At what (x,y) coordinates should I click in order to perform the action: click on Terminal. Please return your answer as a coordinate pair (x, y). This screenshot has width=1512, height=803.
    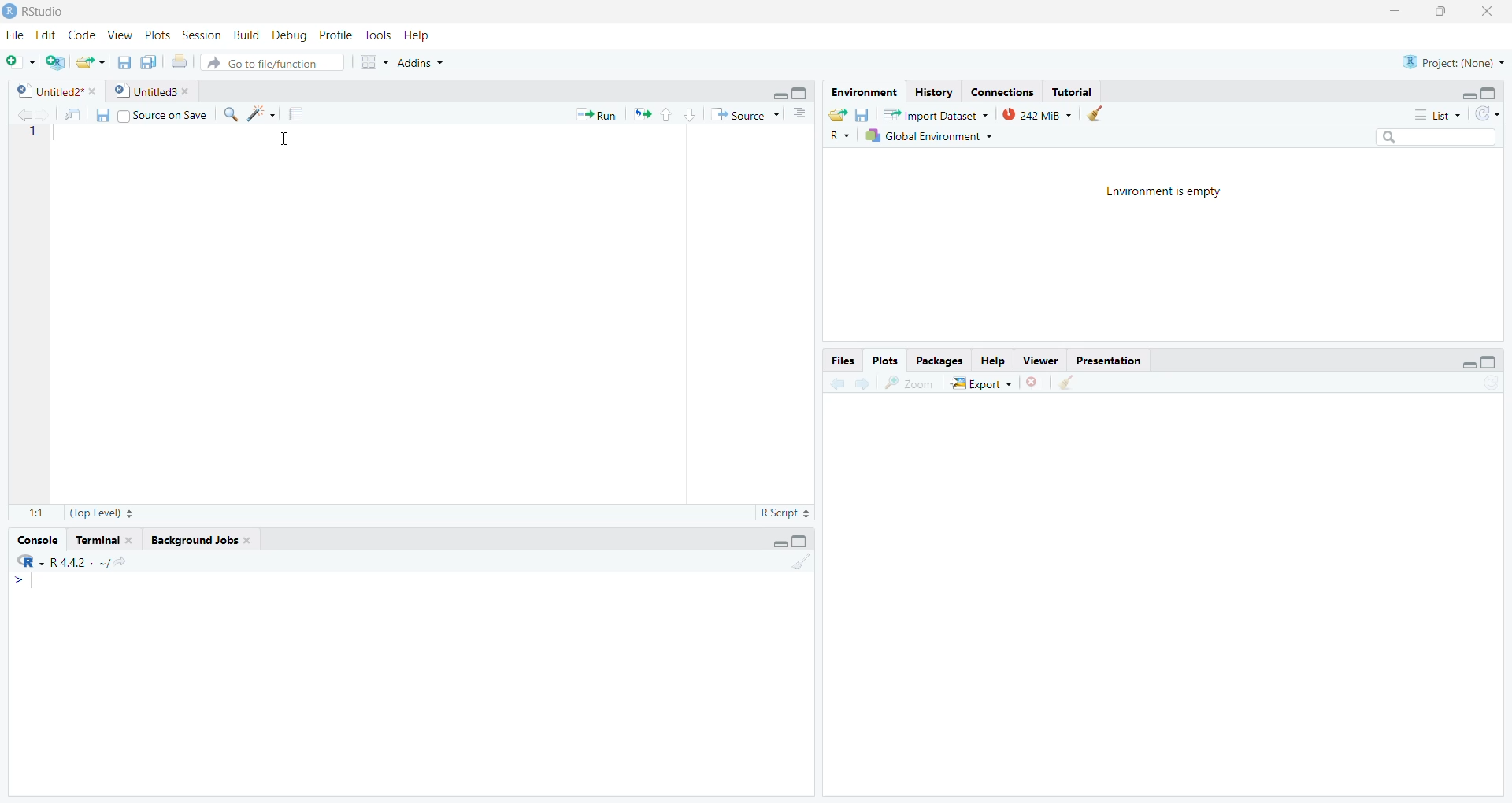
    Looking at the image, I should click on (104, 541).